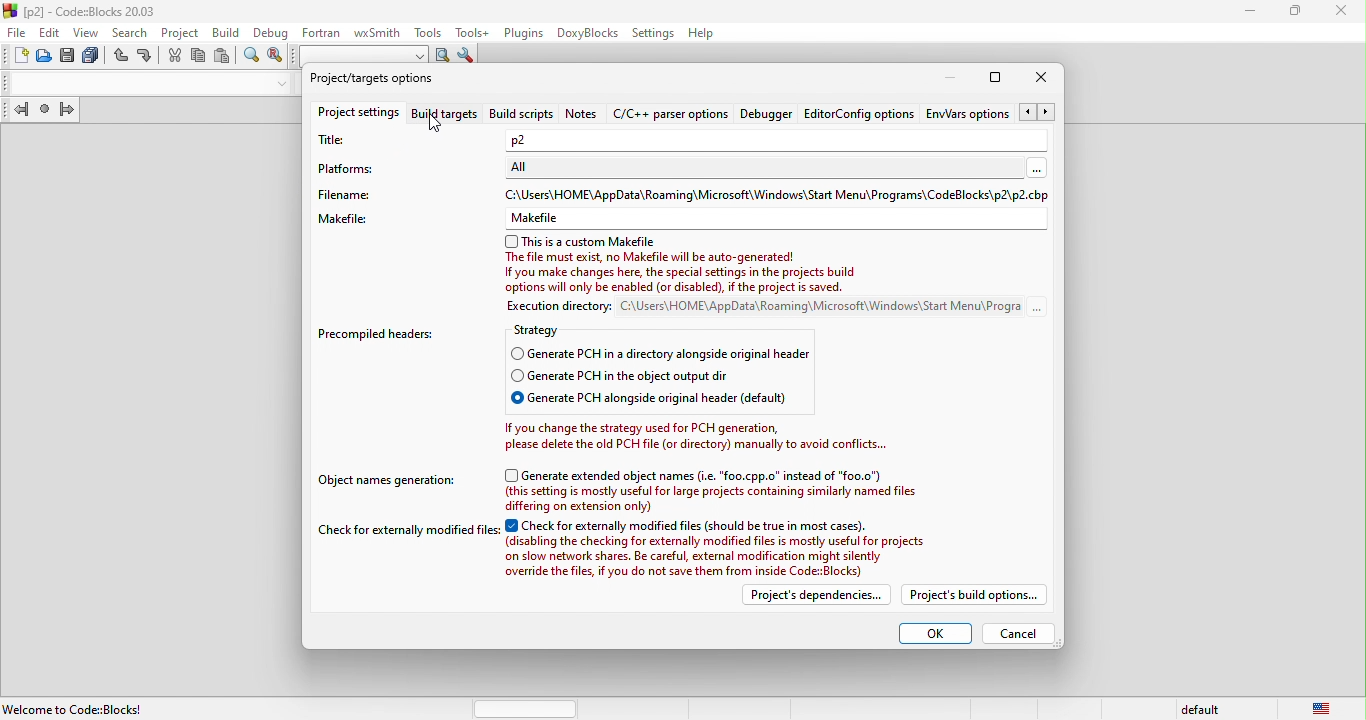  Describe the element at coordinates (812, 595) in the screenshot. I see `project dependencies` at that location.